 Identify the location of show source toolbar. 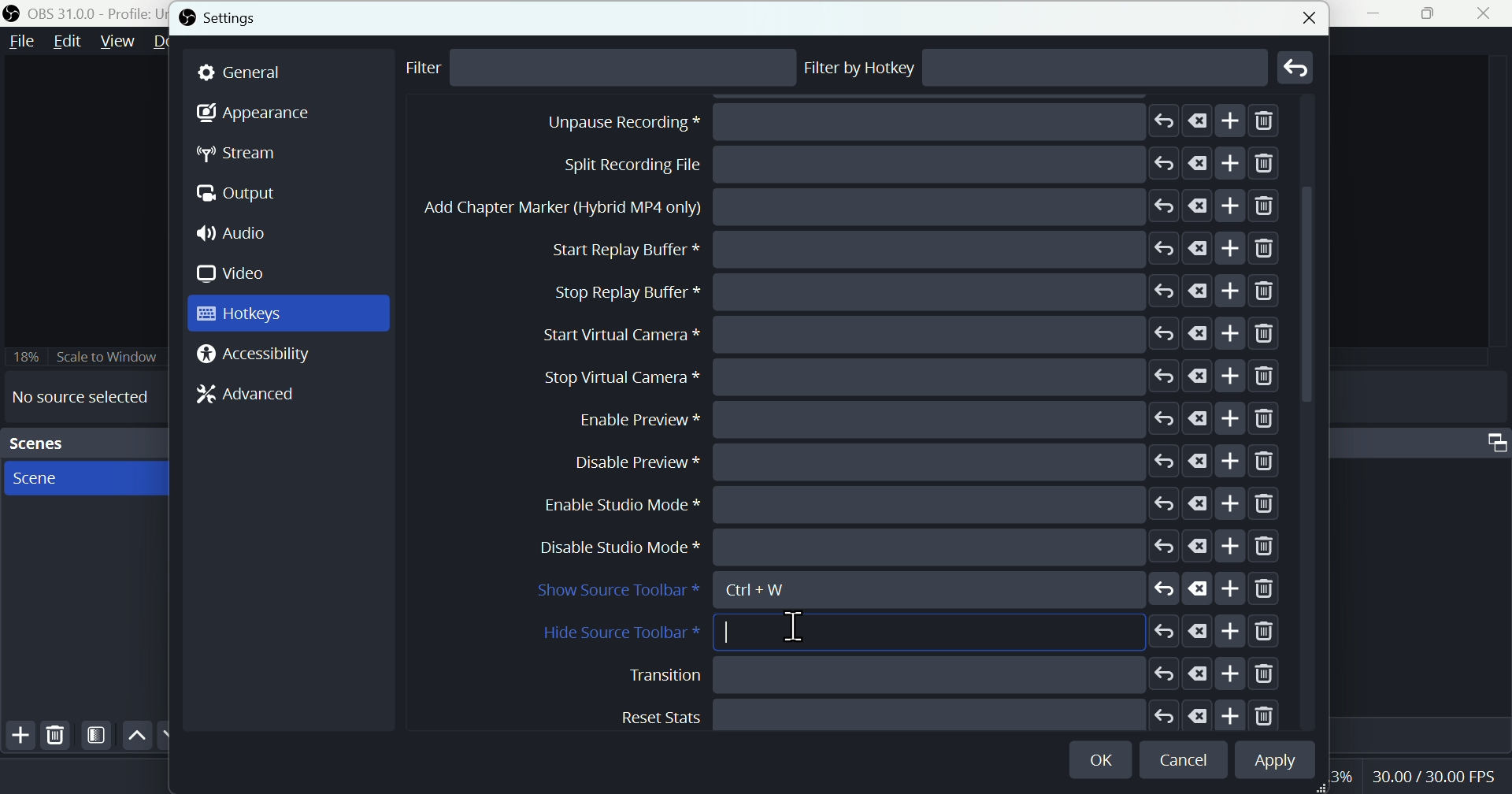
(903, 590).